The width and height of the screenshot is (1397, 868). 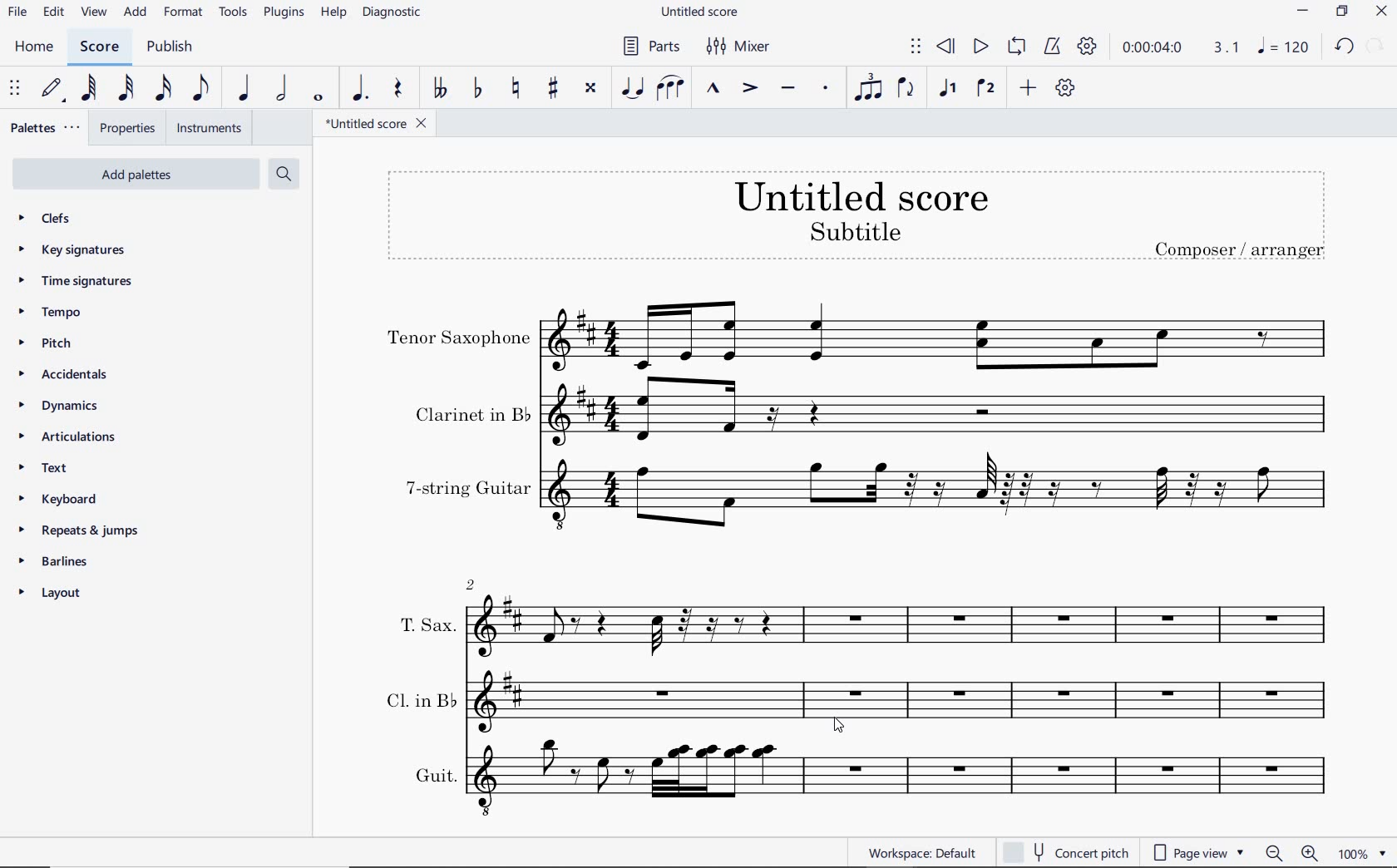 I want to click on SELECT TO MOVE, so click(x=16, y=90).